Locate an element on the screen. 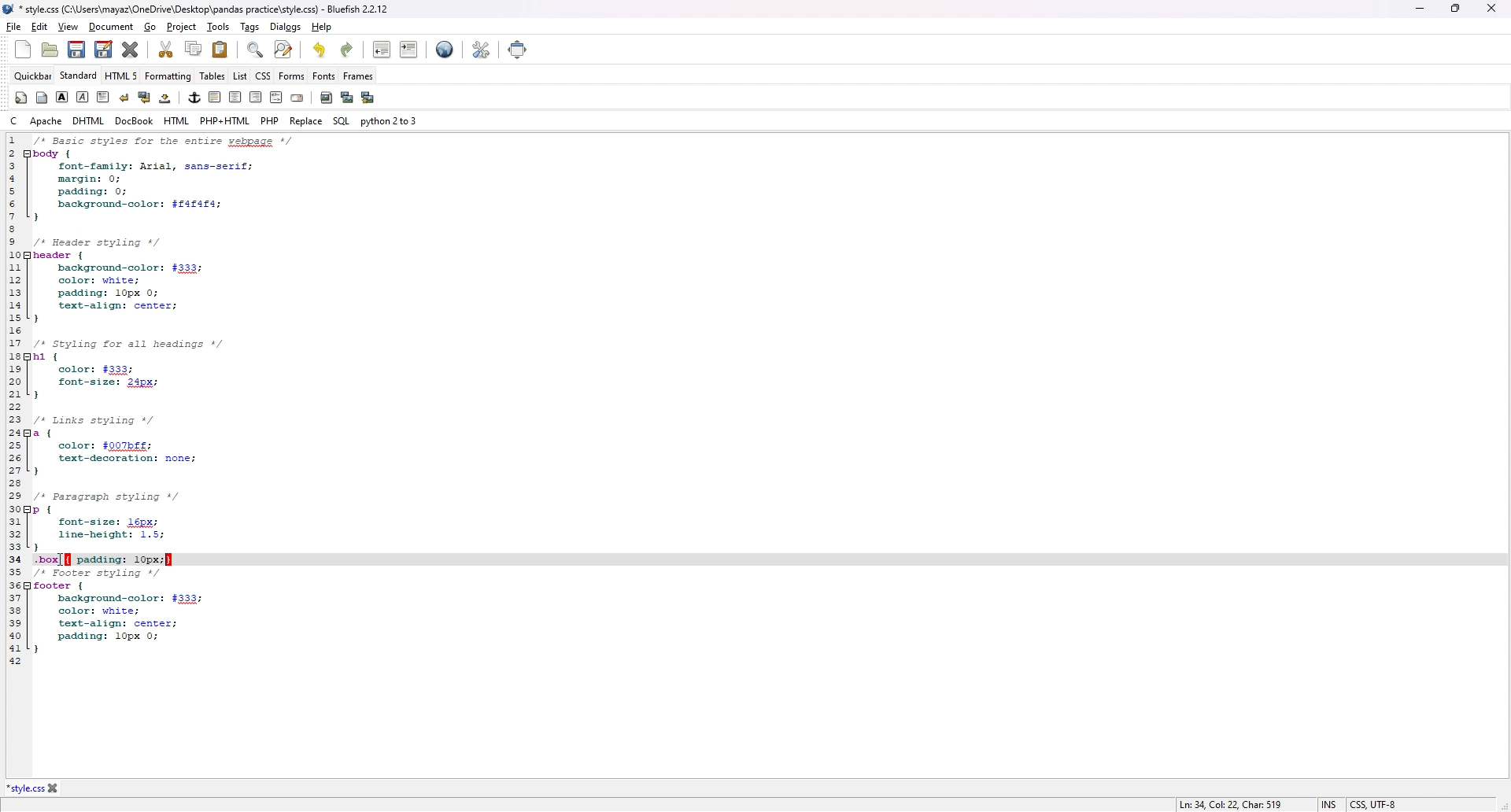 The height and width of the screenshot is (812, 1511). paste is located at coordinates (220, 49).